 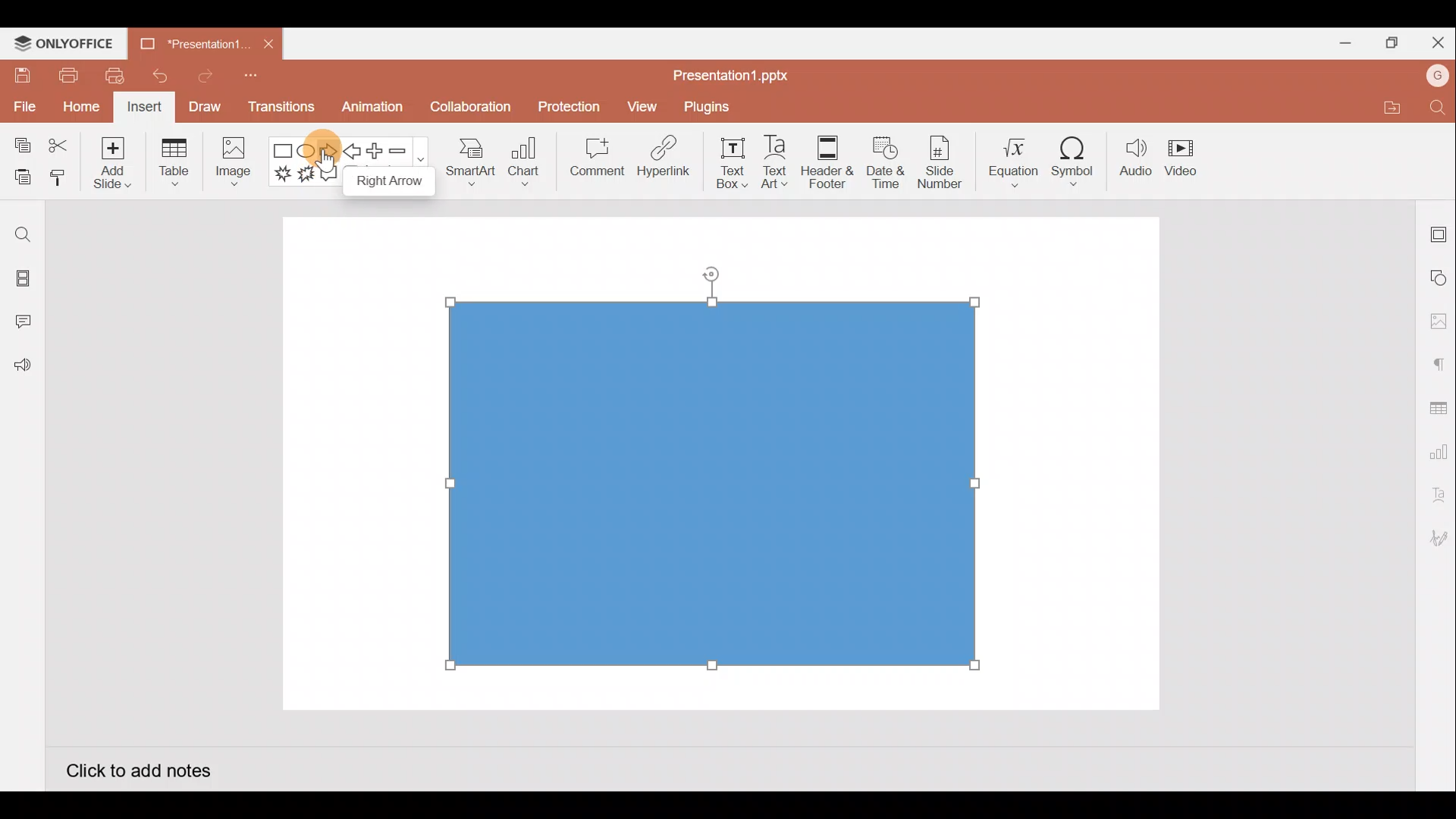 I want to click on Close, so click(x=1435, y=39).